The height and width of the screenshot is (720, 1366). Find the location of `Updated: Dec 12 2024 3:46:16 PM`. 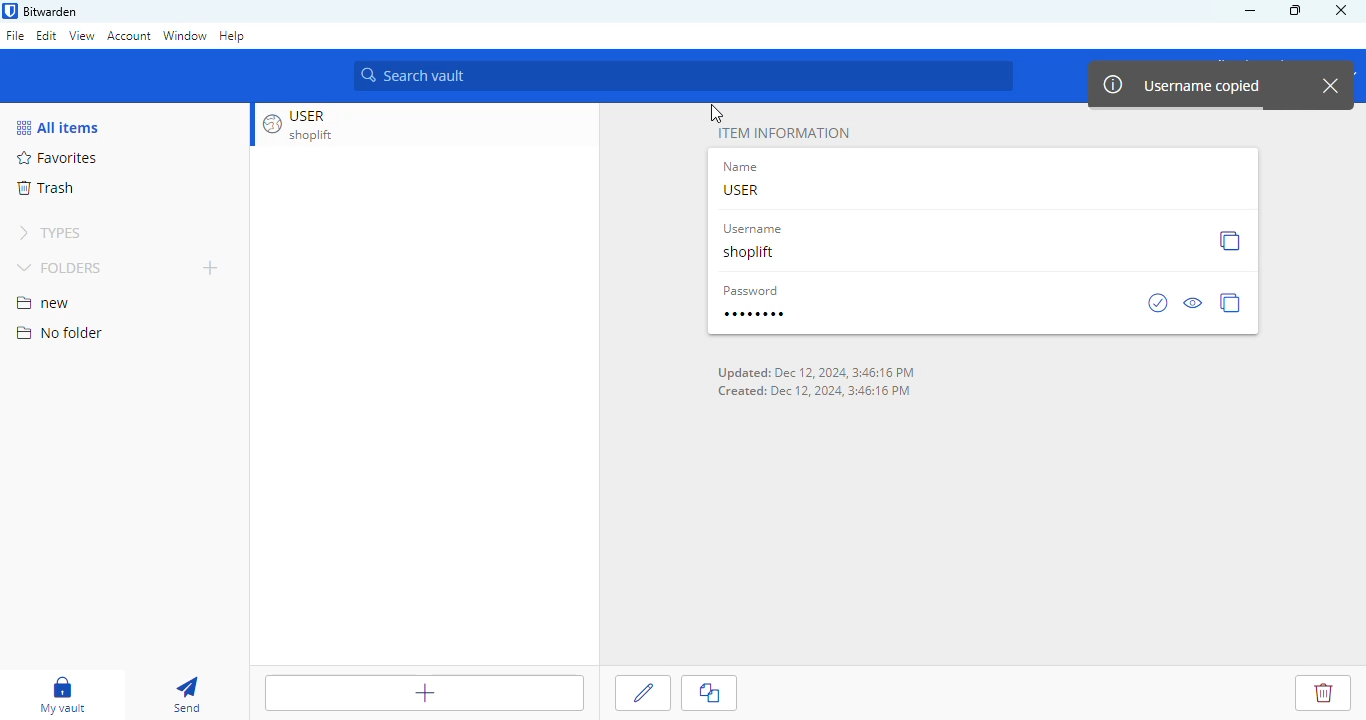

Updated: Dec 12 2024 3:46:16 PM is located at coordinates (817, 373).